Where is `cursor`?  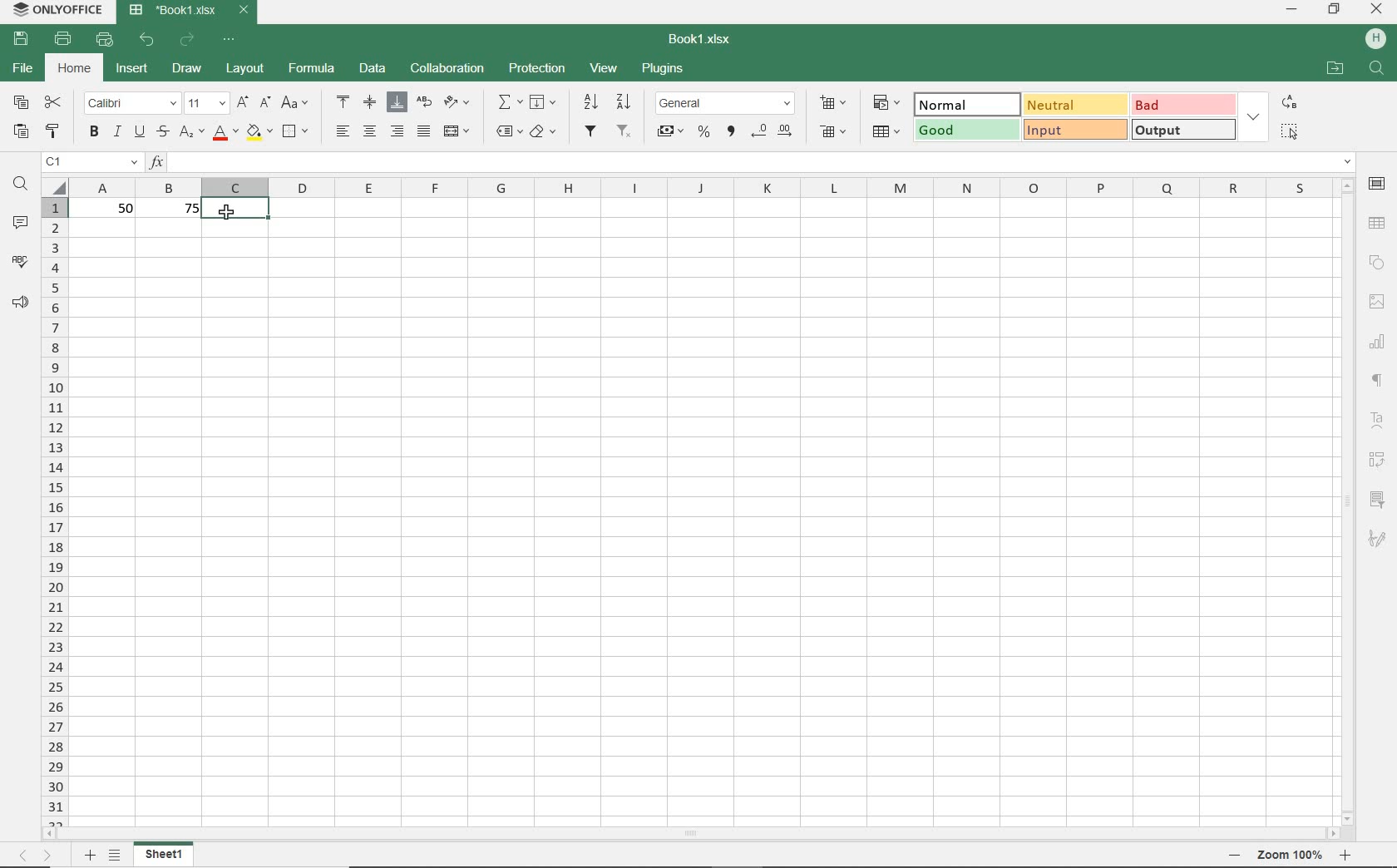 cursor is located at coordinates (226, 212).